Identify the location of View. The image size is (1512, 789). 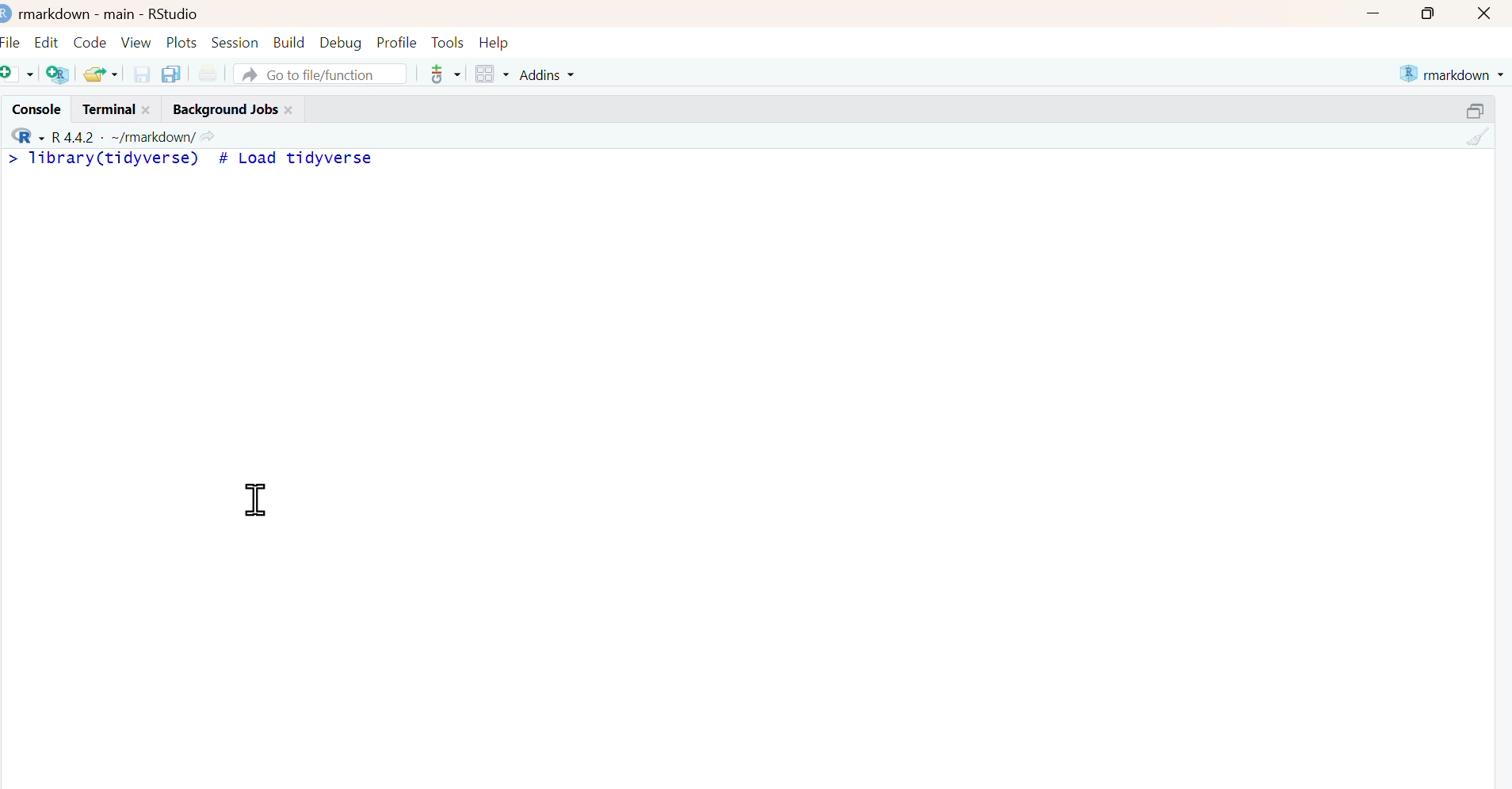
(138, 40).